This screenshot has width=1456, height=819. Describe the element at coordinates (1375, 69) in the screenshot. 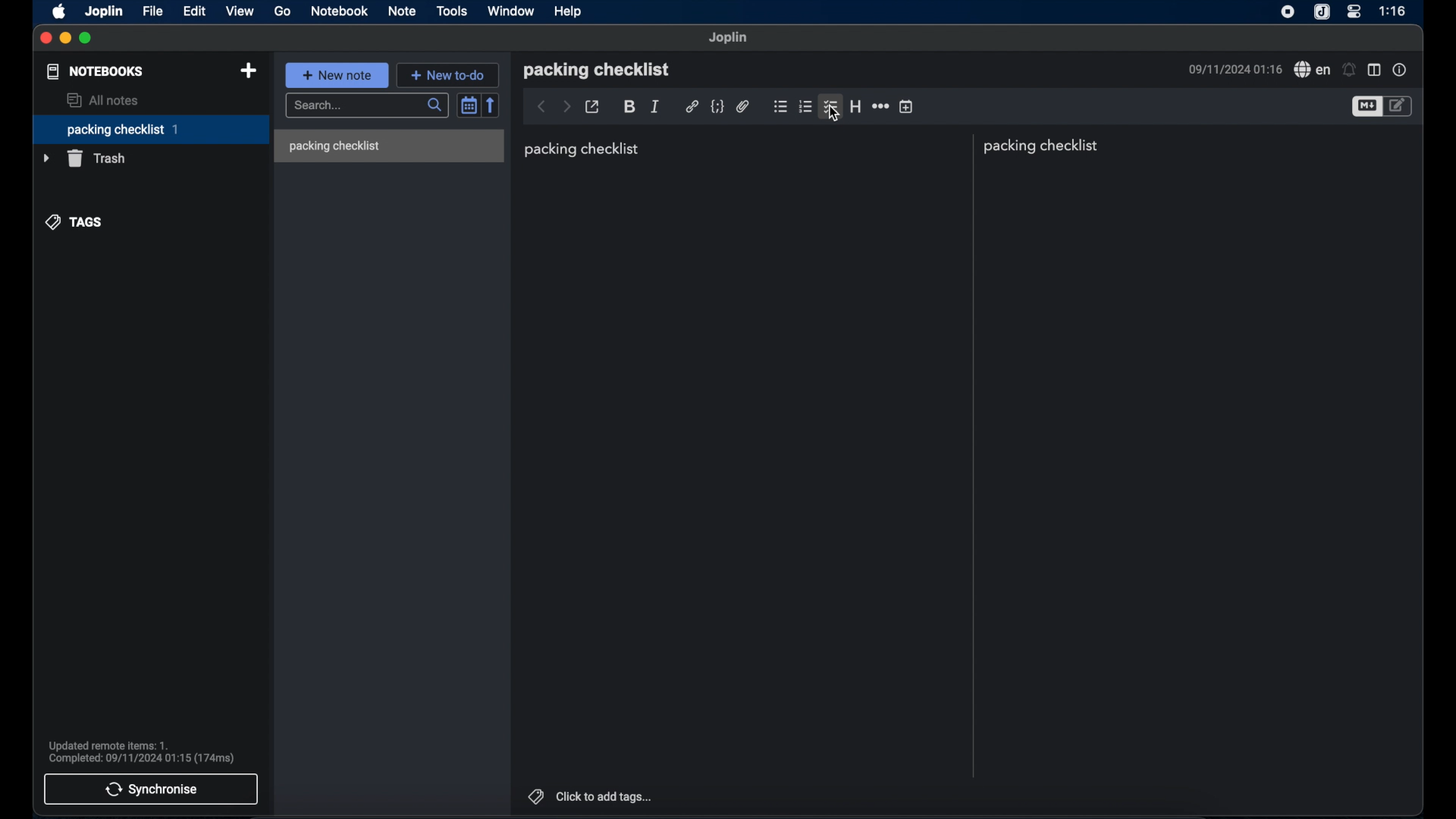

I see `toggle editor layout` at that location.